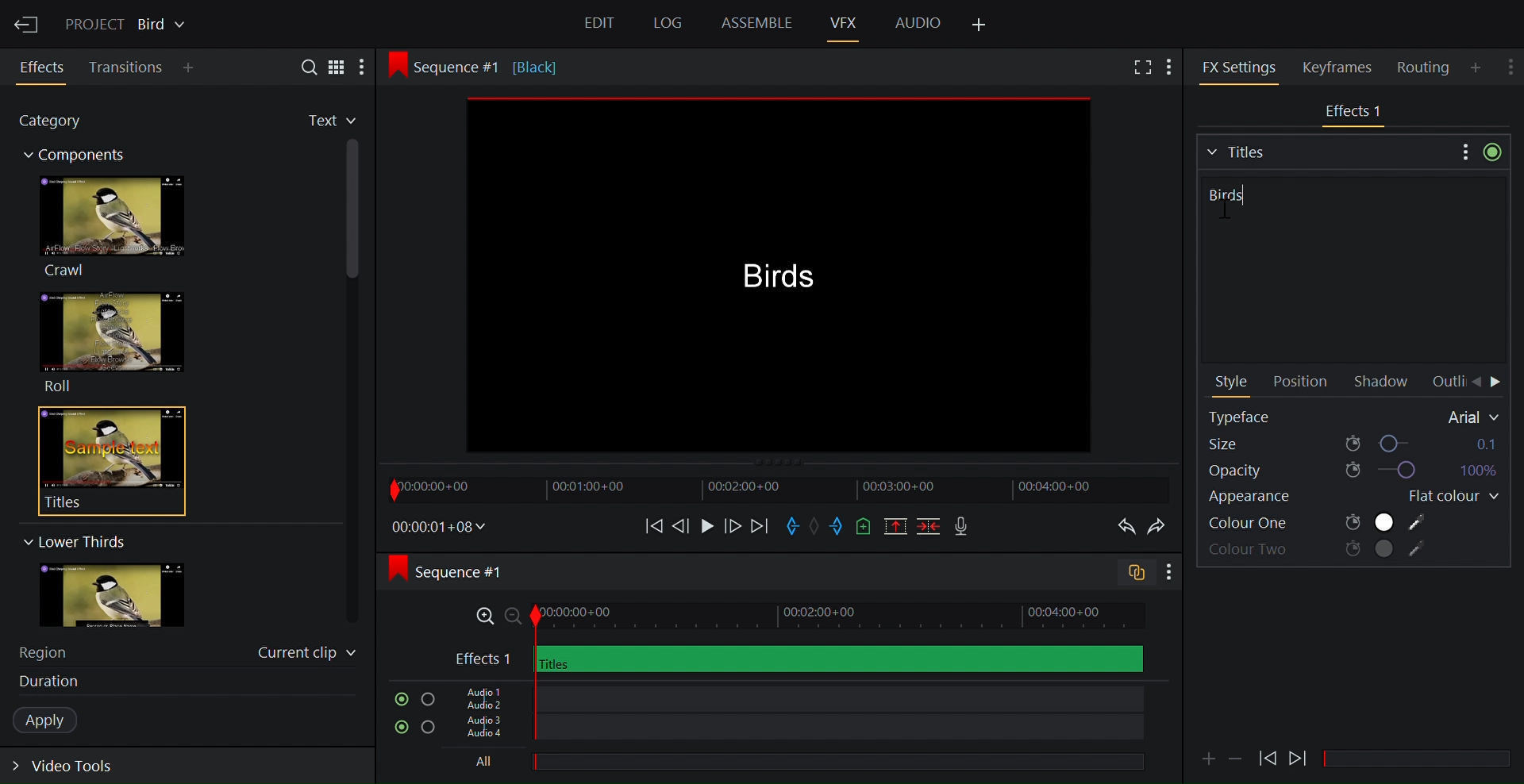  What do you see at coordinates (1223, 211) in the screenshot?
I see `cursor` at bounding box center [1223, 211].